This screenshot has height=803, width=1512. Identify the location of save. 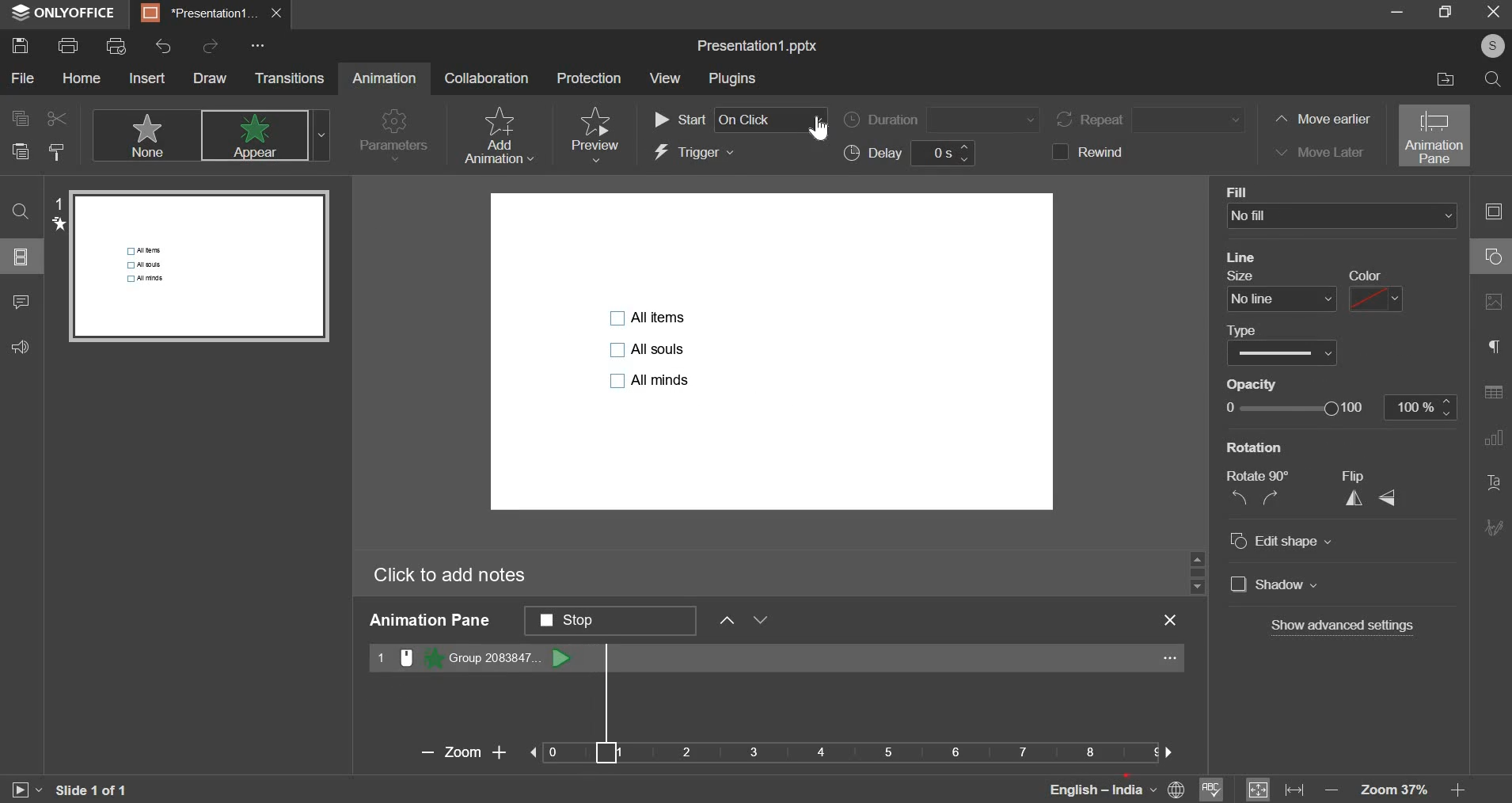
(19, 45).